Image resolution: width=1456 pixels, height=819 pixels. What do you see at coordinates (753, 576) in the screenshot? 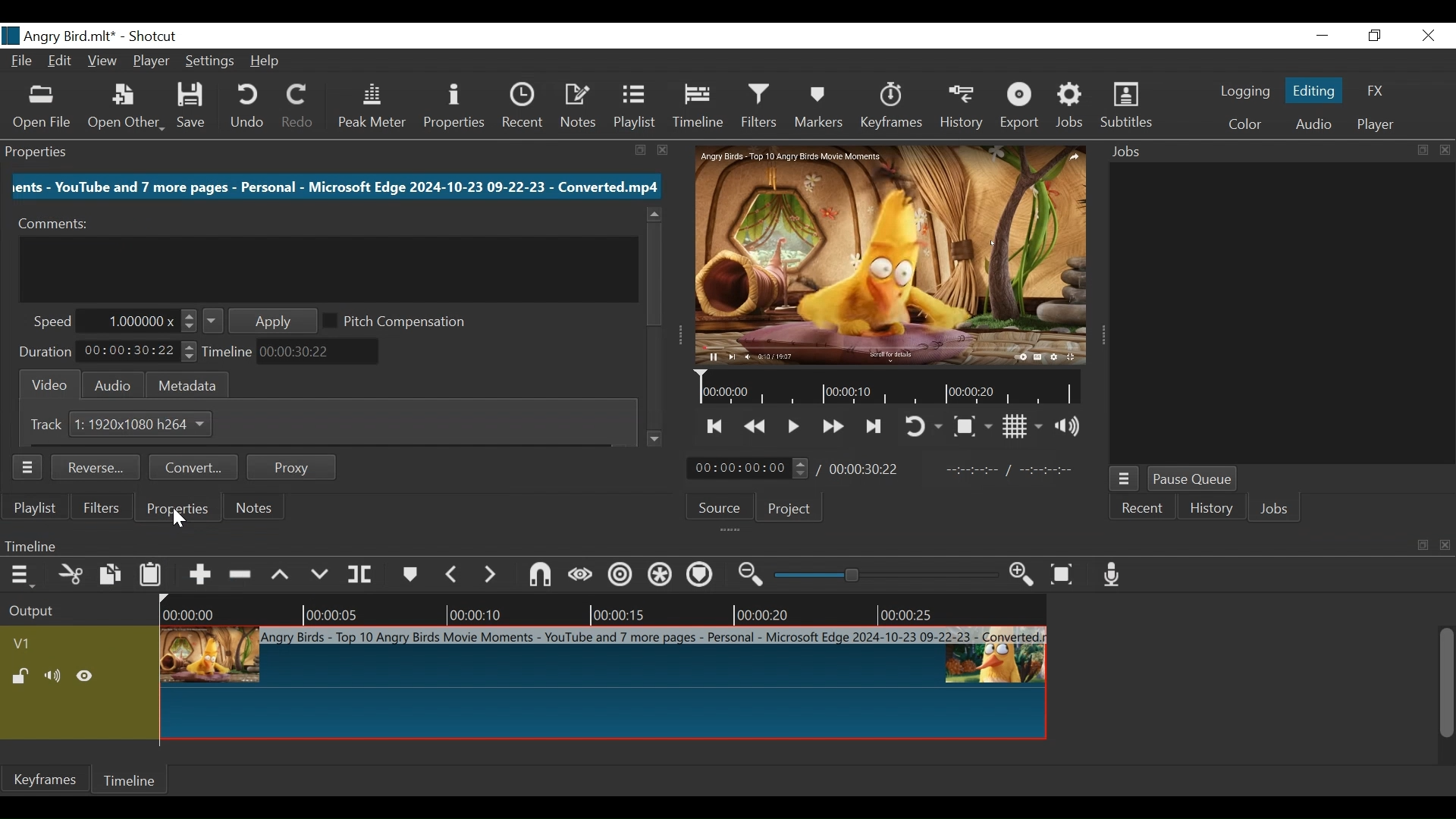
I see `Zoom timeline out` at bounding box center [753, 576].